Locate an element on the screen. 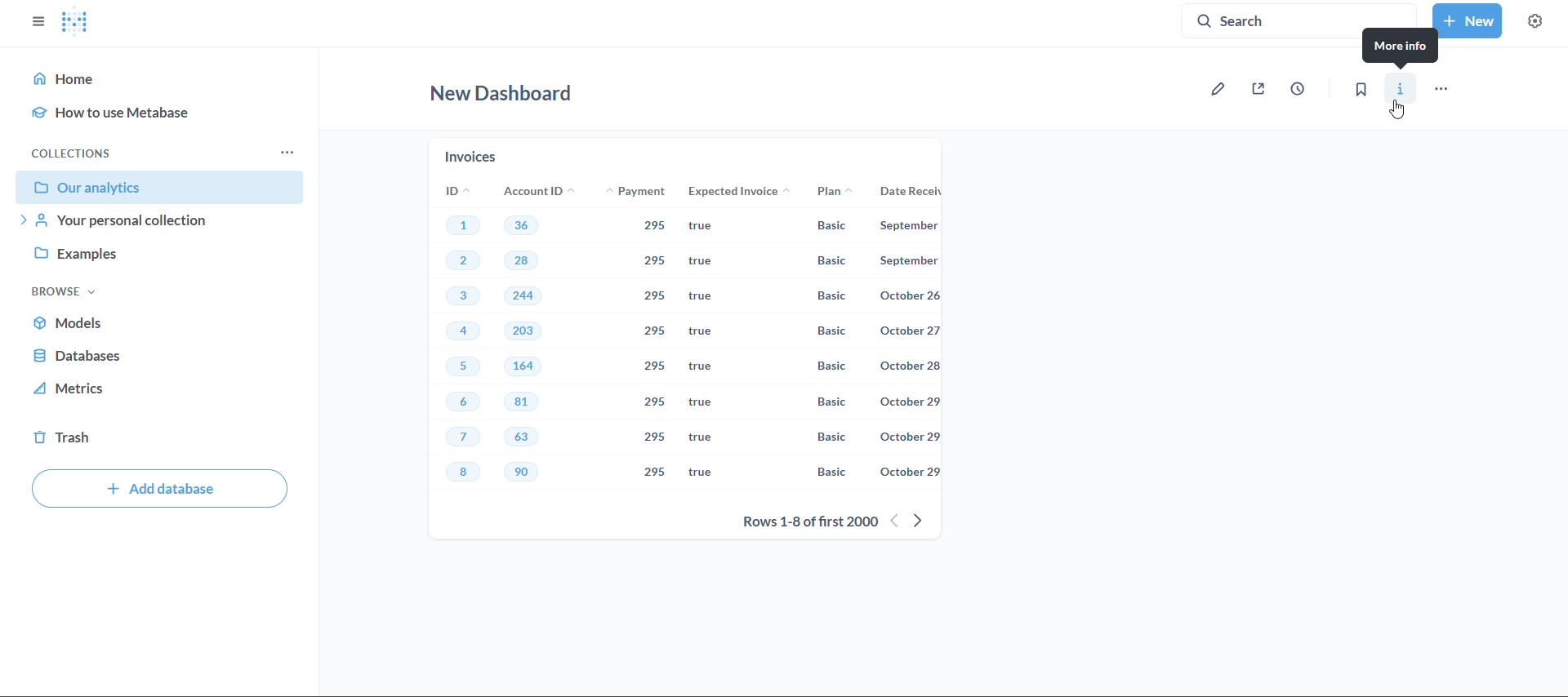 The width and height of the screenshot is (1568, 697). sharing is located at coordinates (1260, 91).